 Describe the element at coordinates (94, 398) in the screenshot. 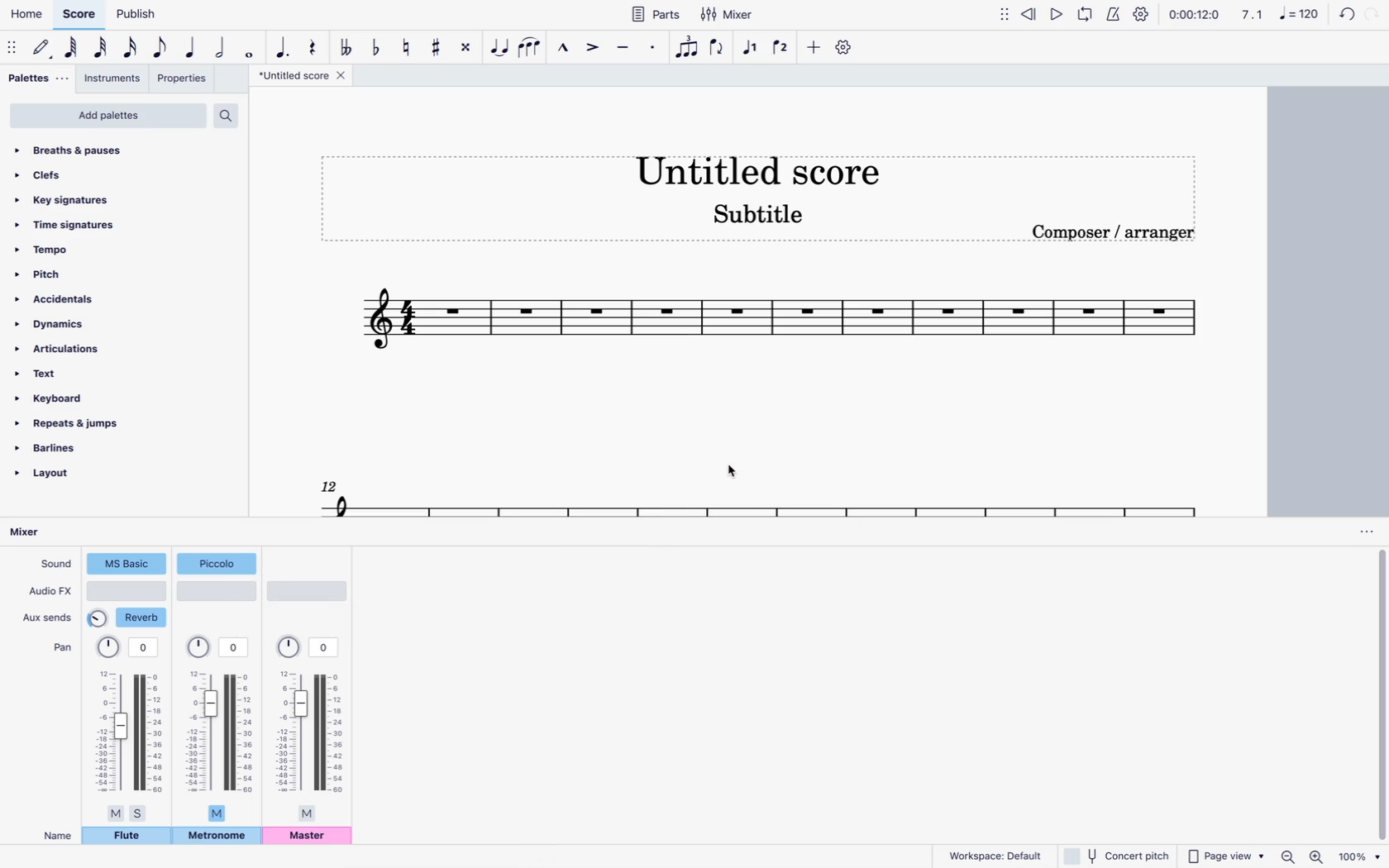

I see `keyboard` at that location.